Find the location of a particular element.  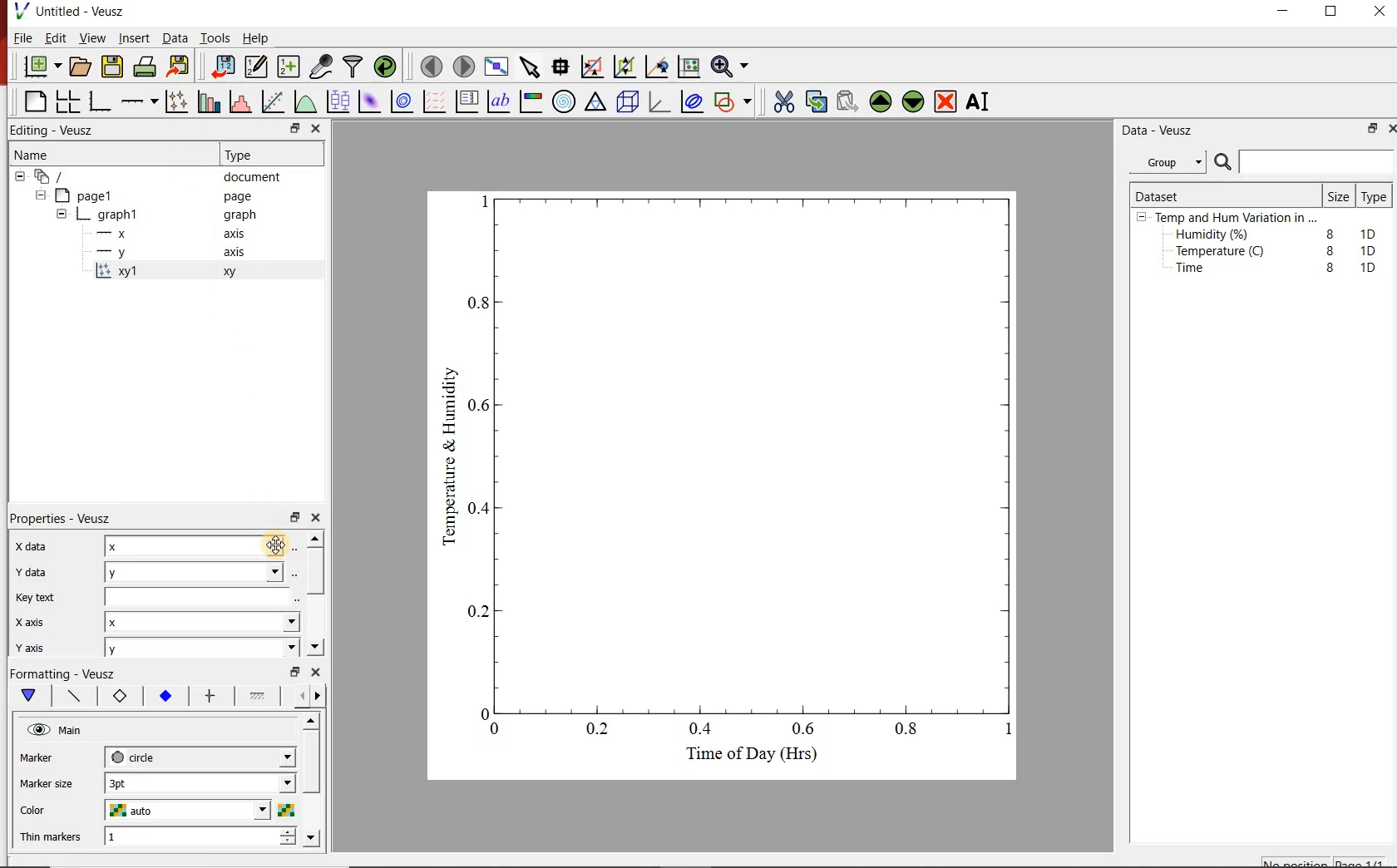

decrease is located at coordinates (287, 846).